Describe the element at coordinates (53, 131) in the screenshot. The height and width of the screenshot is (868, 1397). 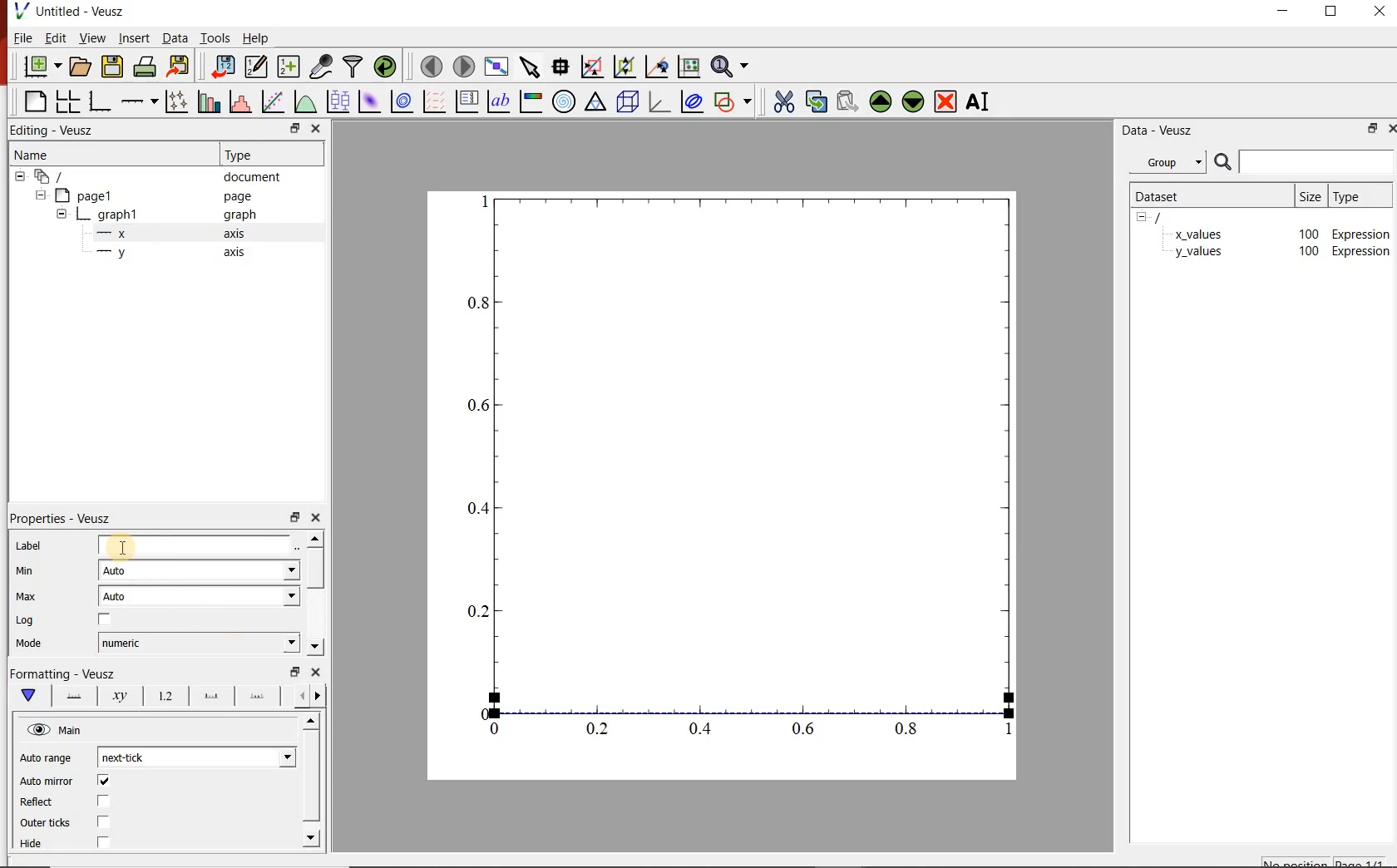
I see `Editing - Veusz` at that location.